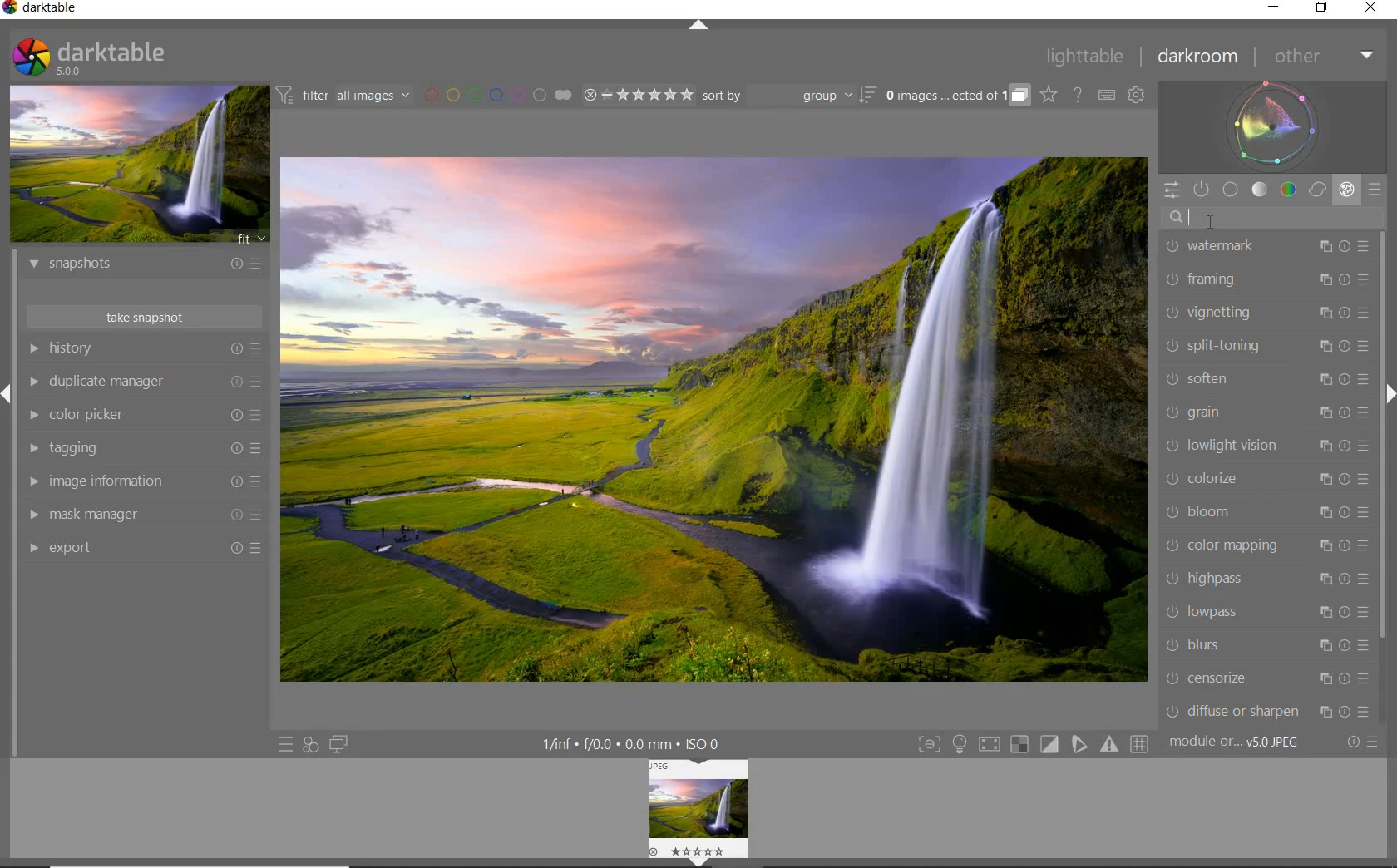 This screenshot has height=868, width=1397. What do you see at coordinates (144, 381) in the screenshot?
I see `duplicate manager` at bounding box center [144, 381].